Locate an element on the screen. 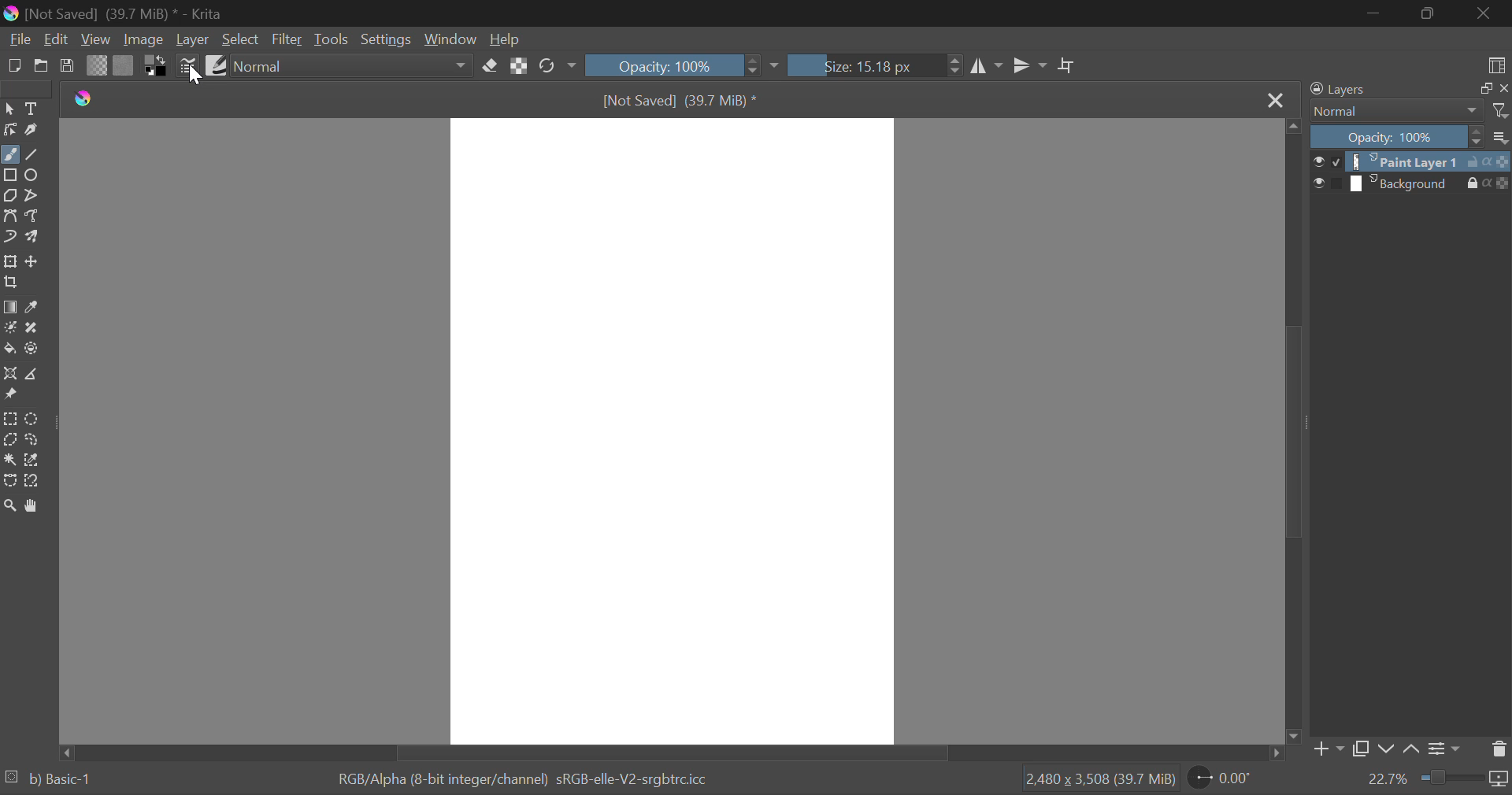 This screenshot has width=1512, height=795. Continuous Selection is located at coordinates (9, 460).